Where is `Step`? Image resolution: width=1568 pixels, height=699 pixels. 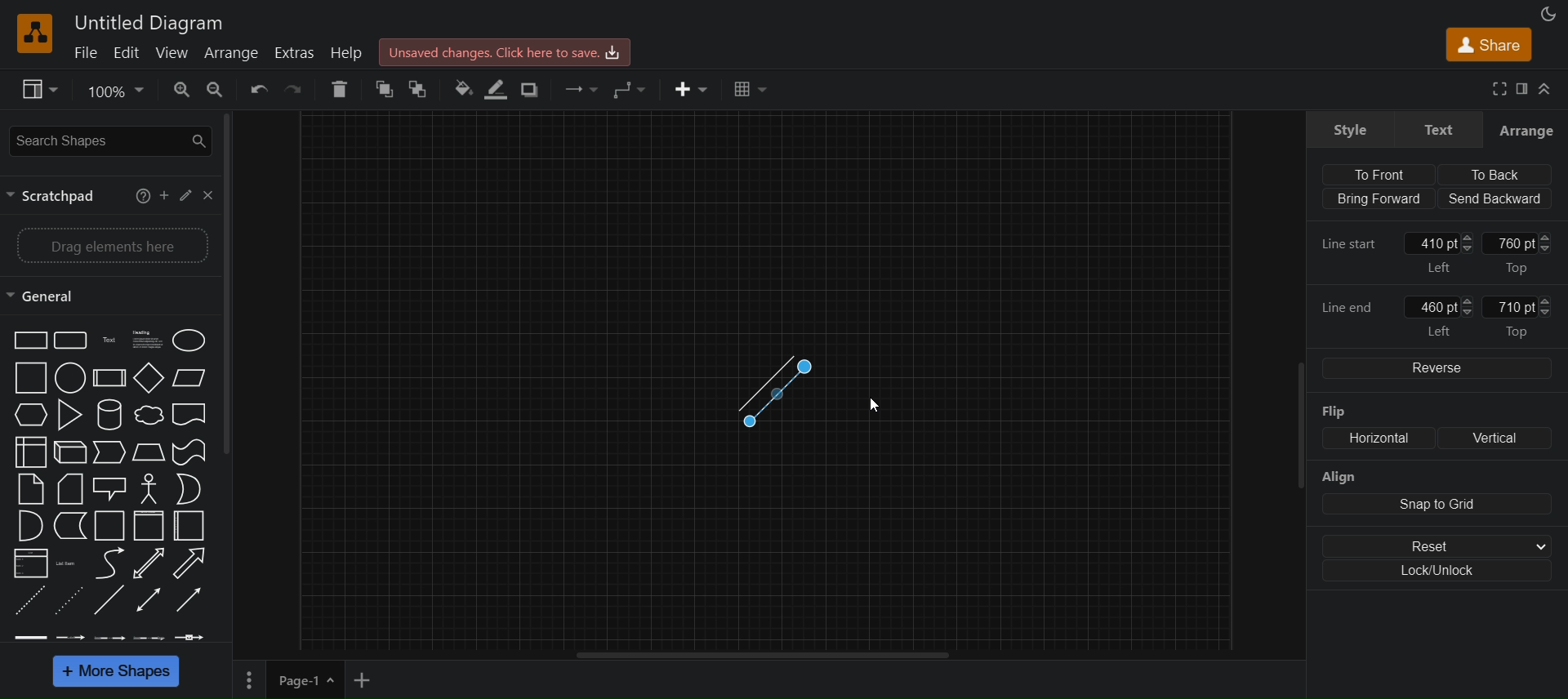 Step is located at coordinates (109, 453).